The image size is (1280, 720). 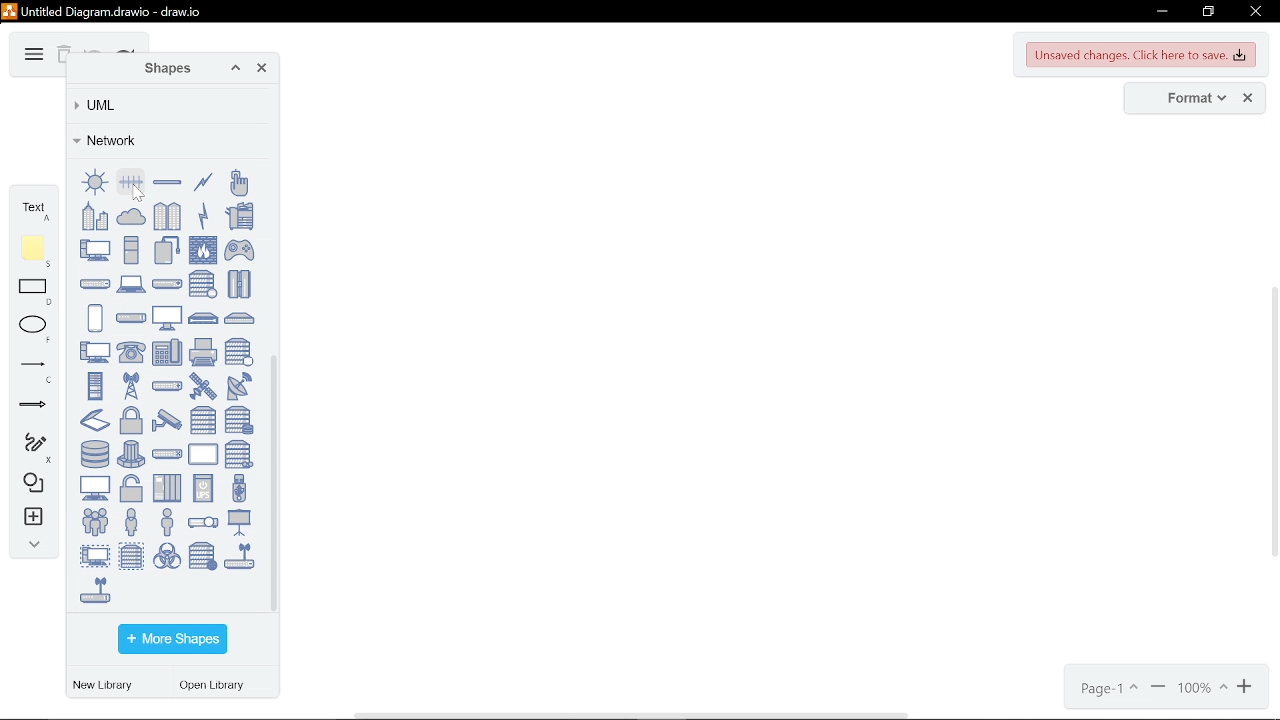 I want to click on wireless hub, so click(x=239, y=556).